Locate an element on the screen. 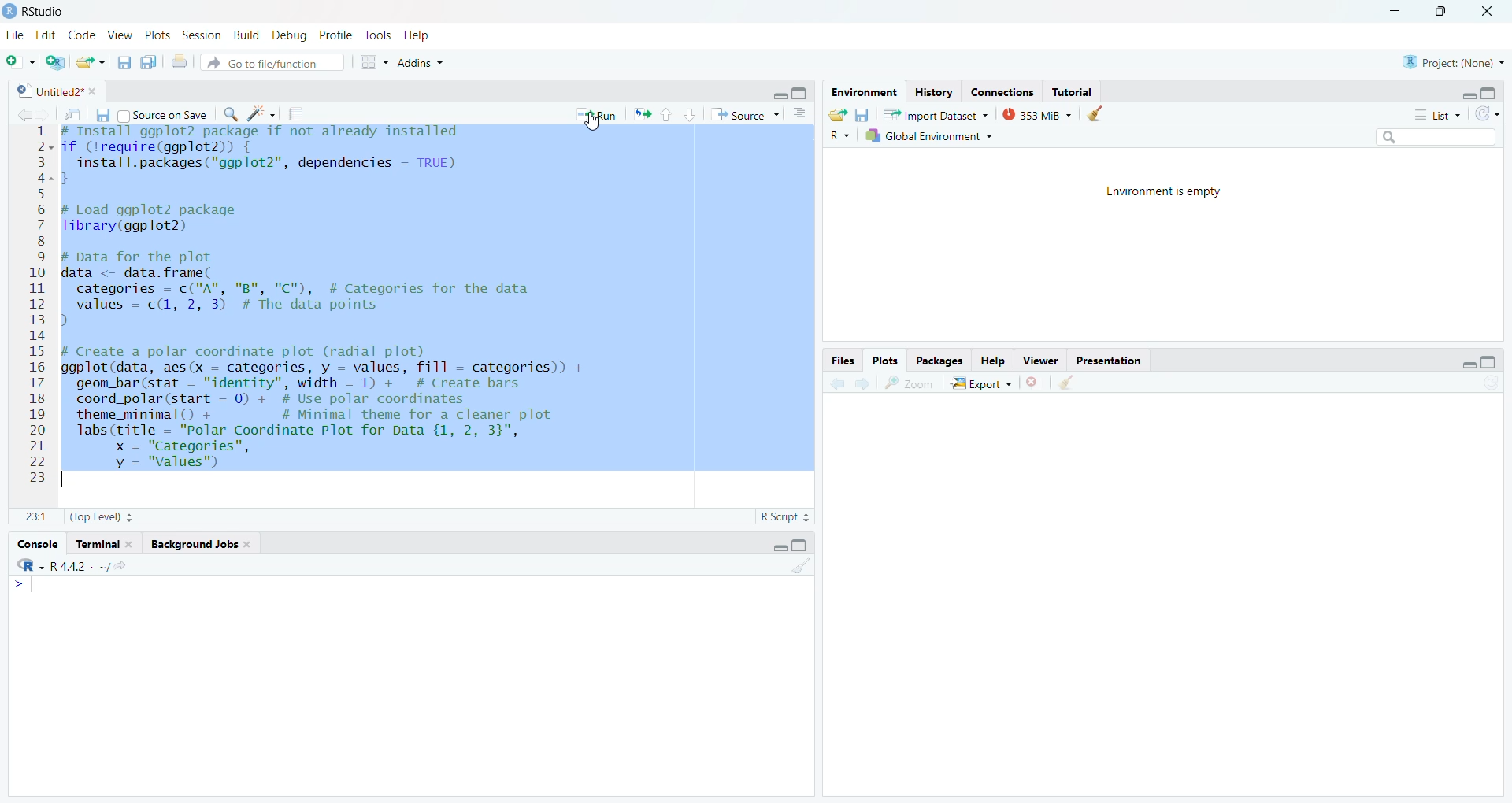 The width and height of the screenshot is (1512, 803). clear console is located at coordinates (802, 569).